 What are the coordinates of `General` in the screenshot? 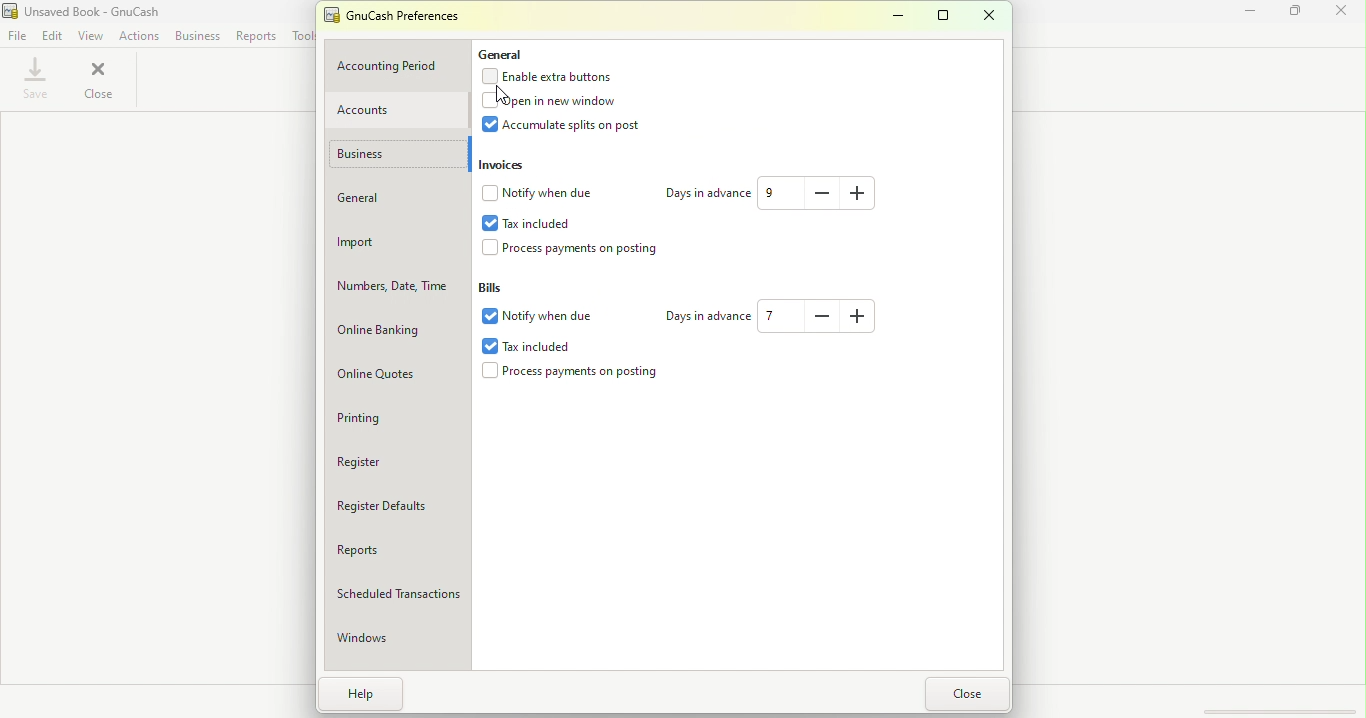 It's located at (511, 54).